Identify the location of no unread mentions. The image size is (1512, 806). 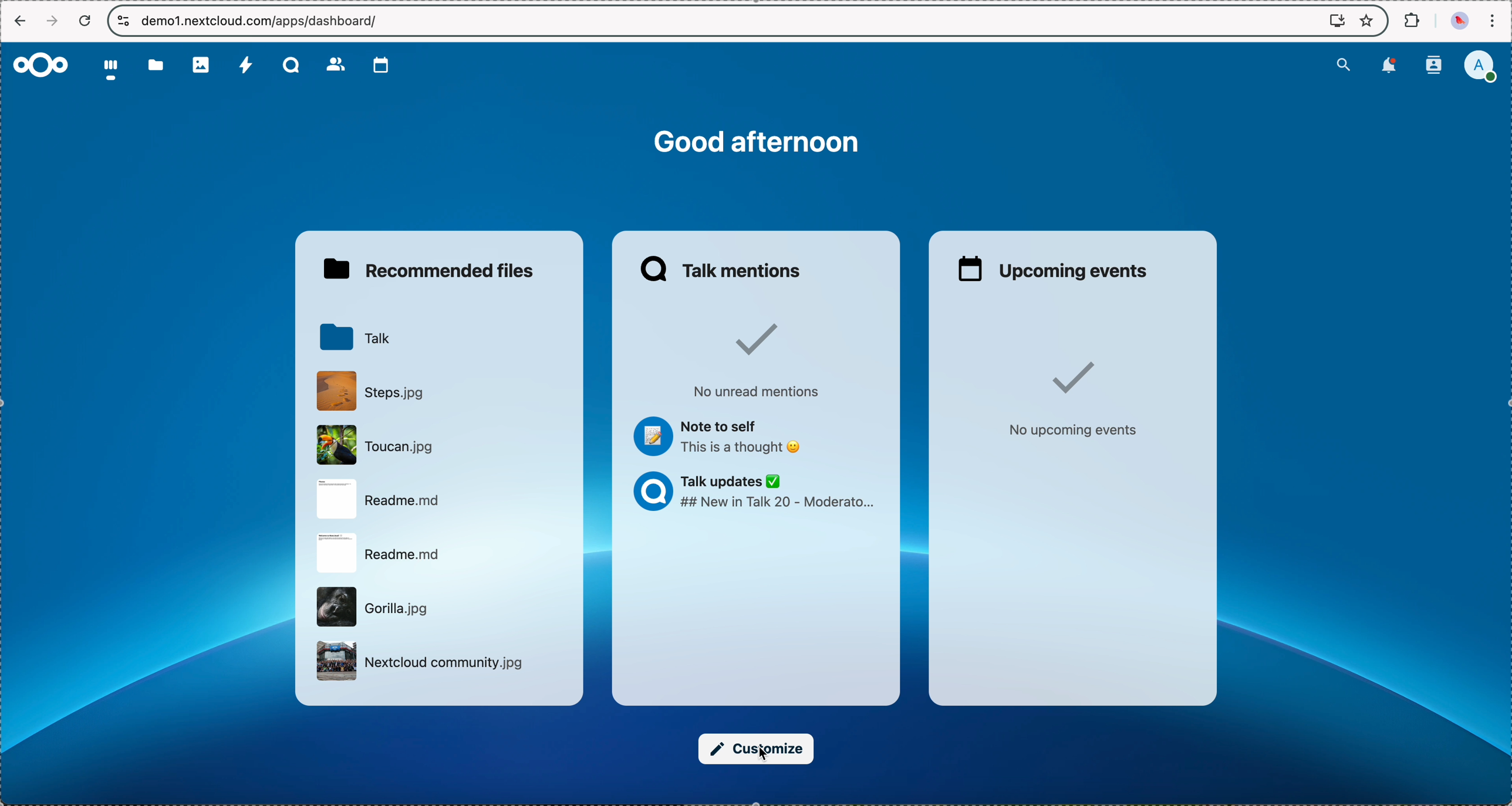
(760, 358).